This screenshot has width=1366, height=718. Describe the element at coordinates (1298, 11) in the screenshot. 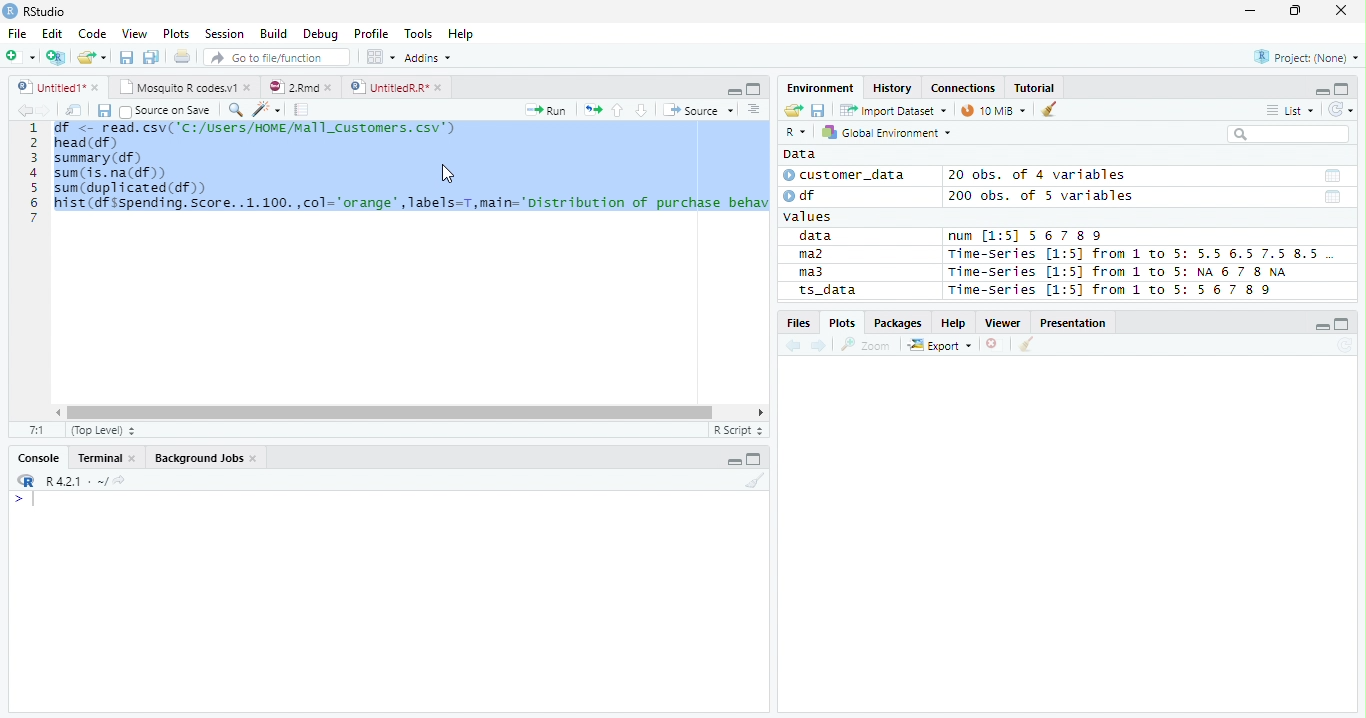

I see `Restore Down` at that location.